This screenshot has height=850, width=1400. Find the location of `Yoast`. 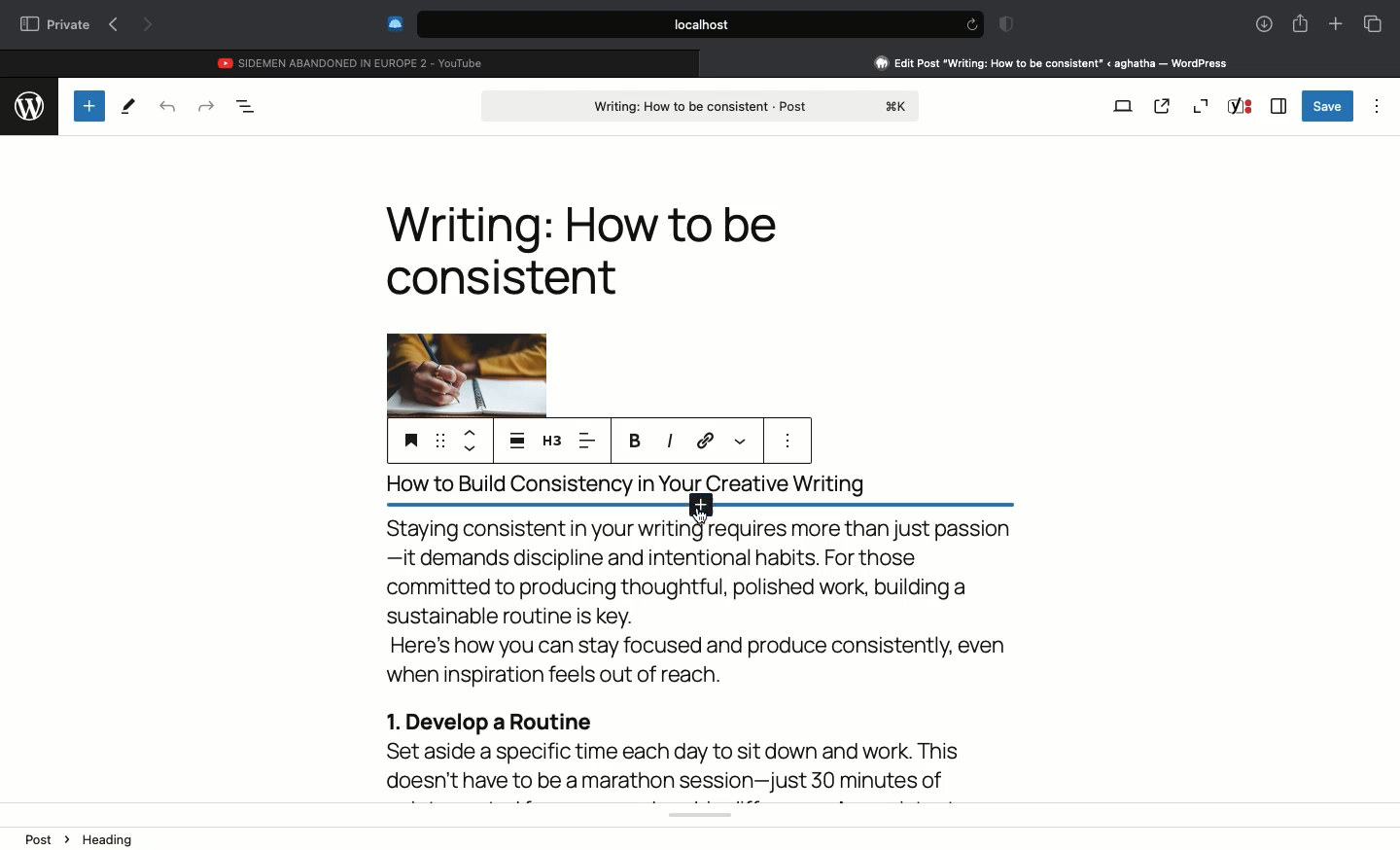

Yoast is located at coordinates (1241, 106).